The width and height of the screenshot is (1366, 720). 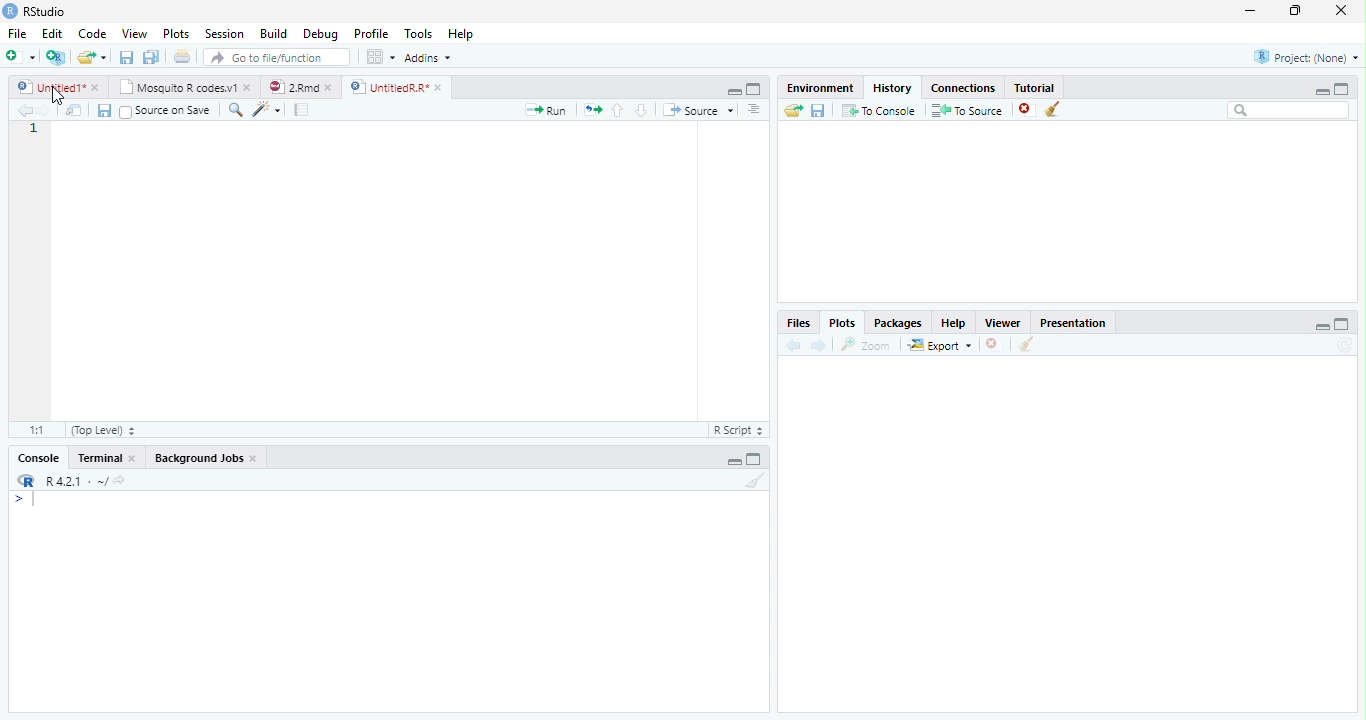 What do you see at coordinates (96, 87) in the screenshot?
I see `close` at bounding box center [96, 87].